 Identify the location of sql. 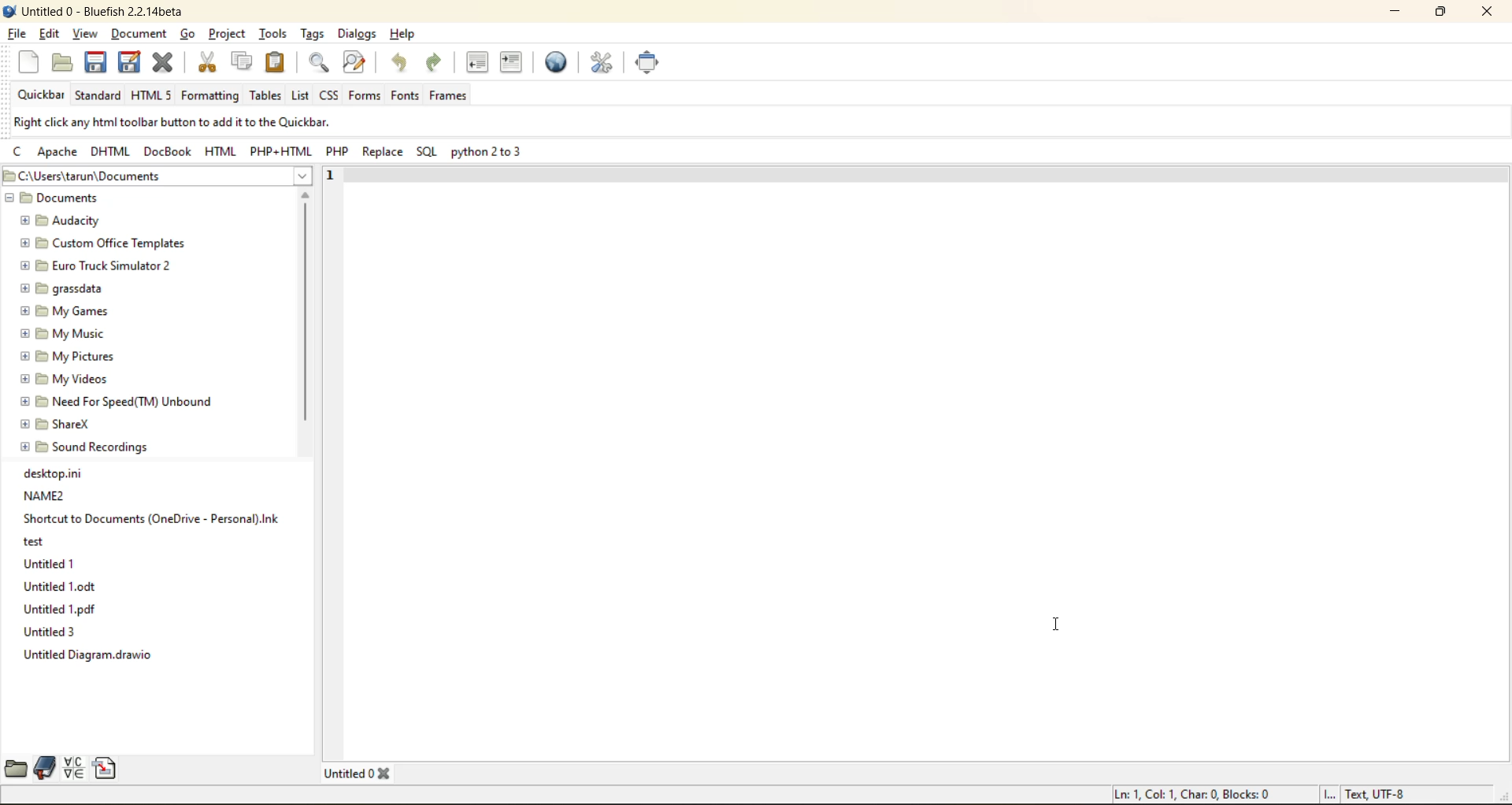
(428, 154).